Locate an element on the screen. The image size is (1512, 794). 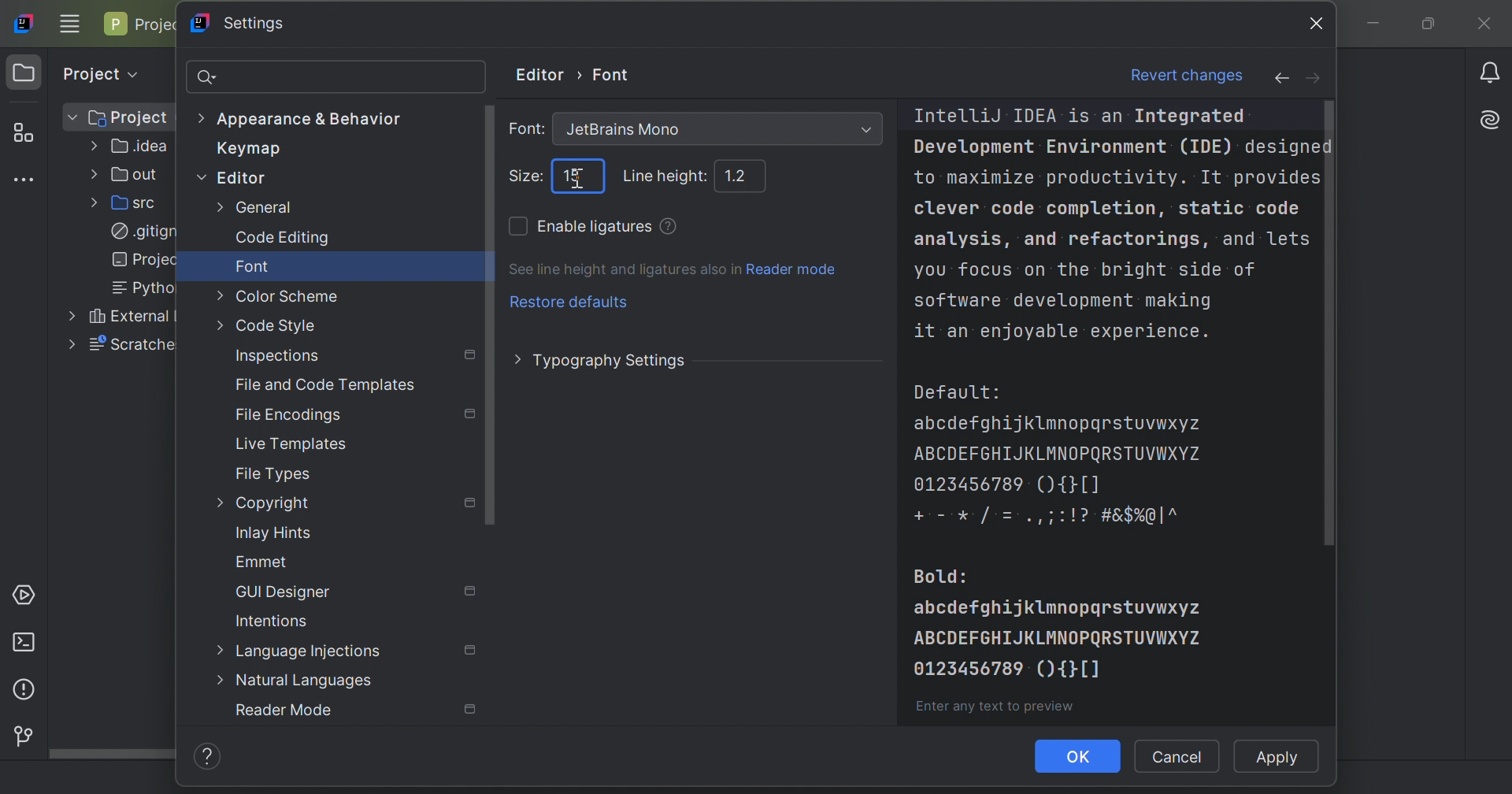
External is located at coordinates (118, 315).